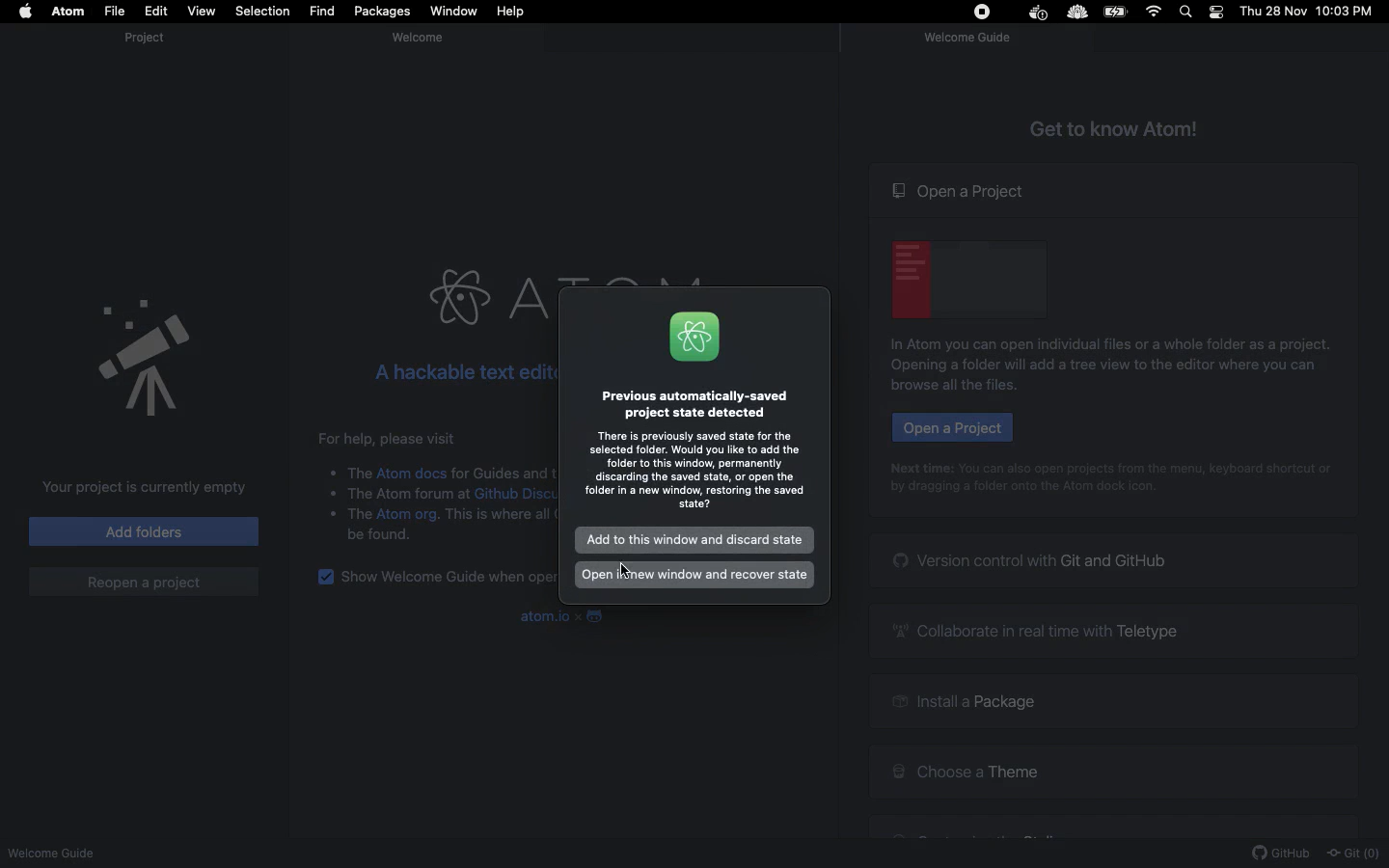 This screenshot has height=868, width=1389. Describe the element at coordinates (694, 337) in the screenshot. I see `Atom` at that location.